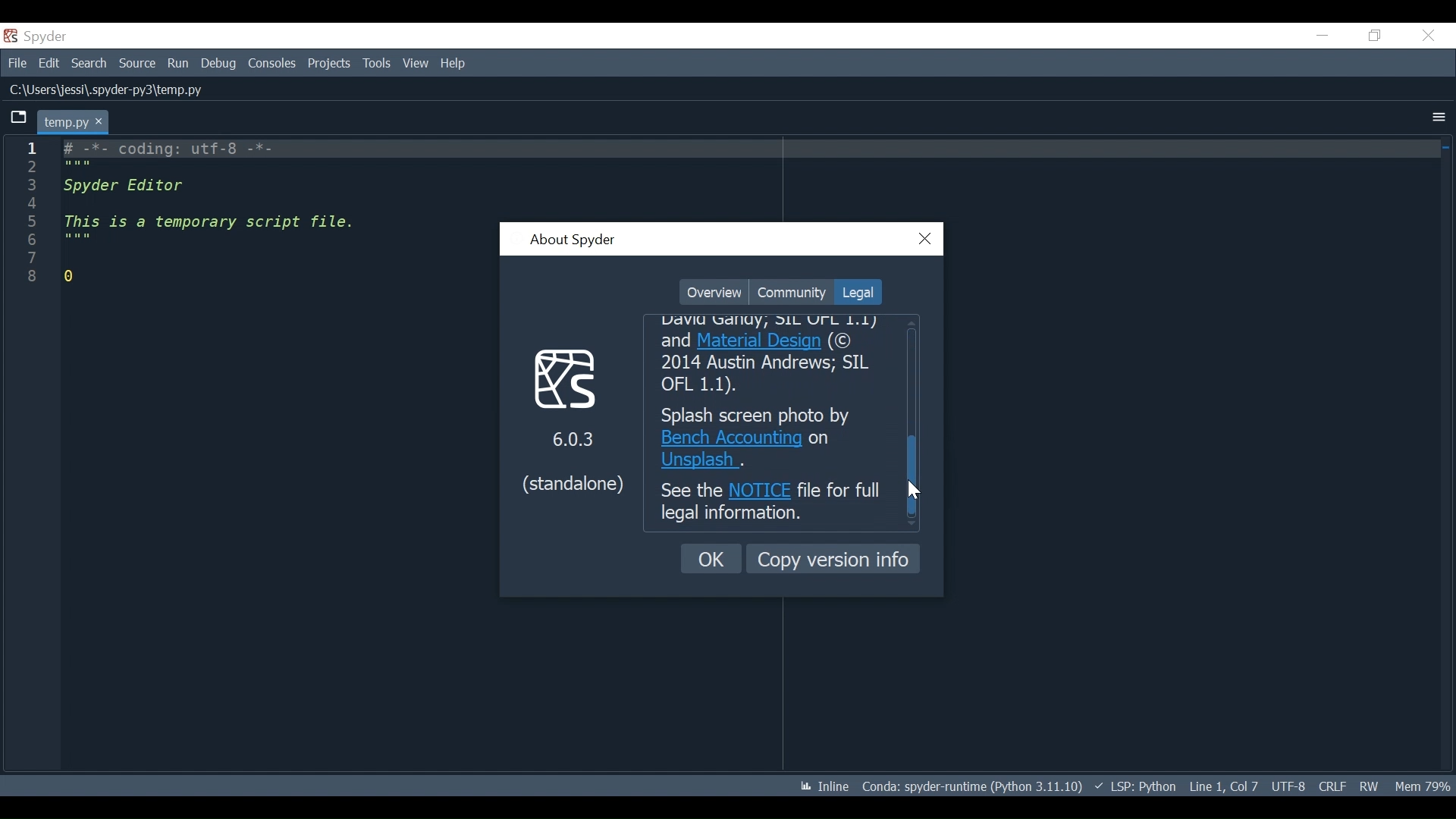 The image size is (1456, 819). What do you see at coordinates (818, 787) in the screenshot?
I see `Inline` at bounding box center [818, 787].